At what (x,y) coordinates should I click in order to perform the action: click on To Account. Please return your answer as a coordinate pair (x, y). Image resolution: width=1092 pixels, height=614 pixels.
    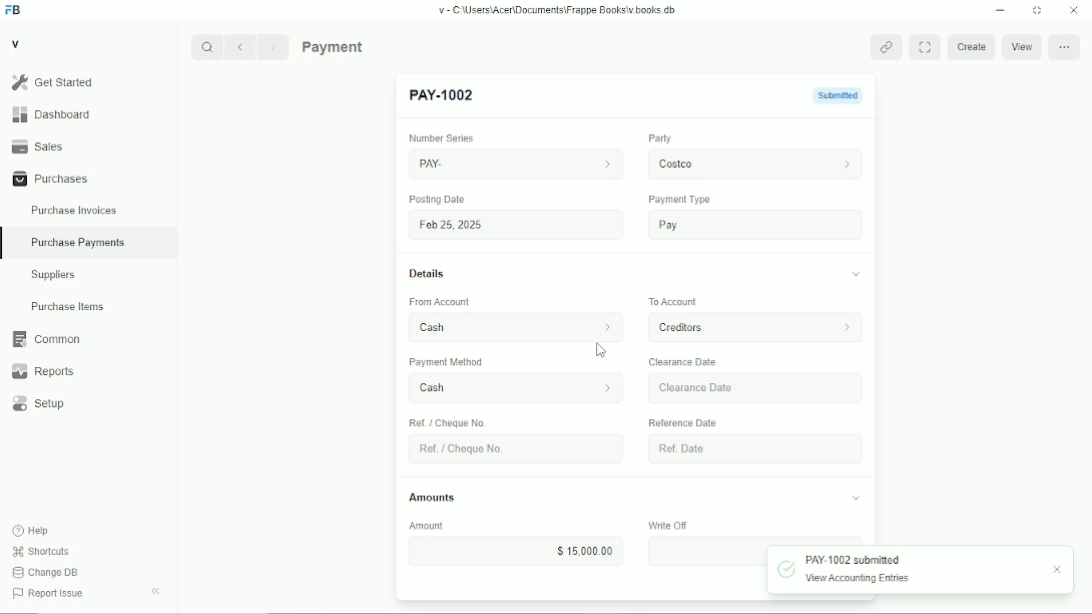
    Looking at the image, I should click on (667, 300).